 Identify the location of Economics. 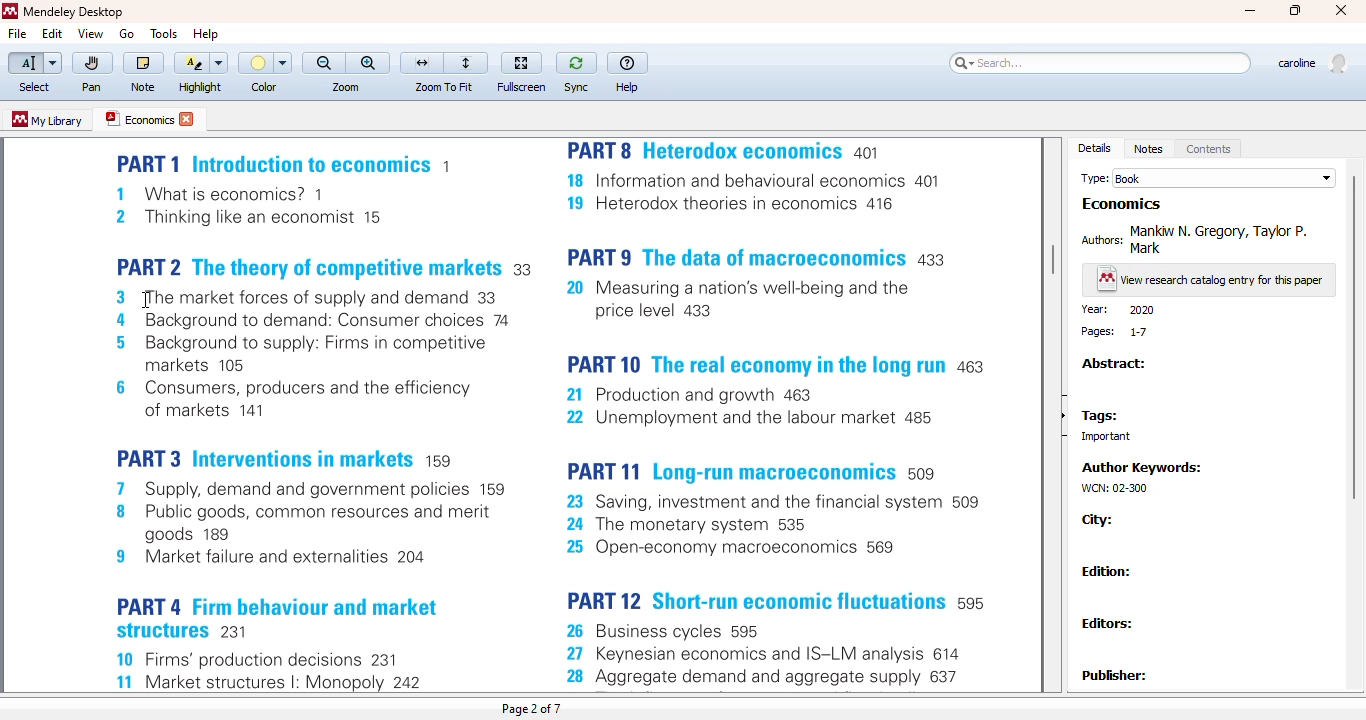
(149, 120).